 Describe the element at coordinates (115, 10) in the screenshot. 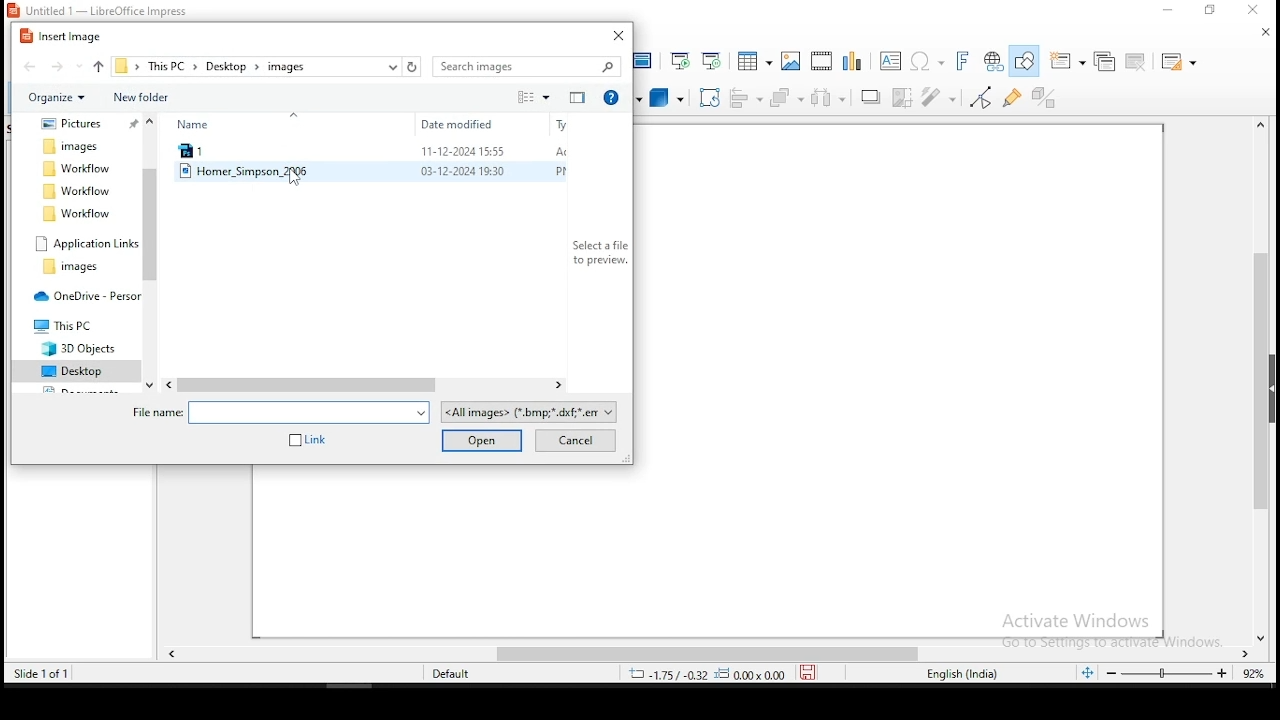

I see `untitled 1 - libreoffice impress` at that location.